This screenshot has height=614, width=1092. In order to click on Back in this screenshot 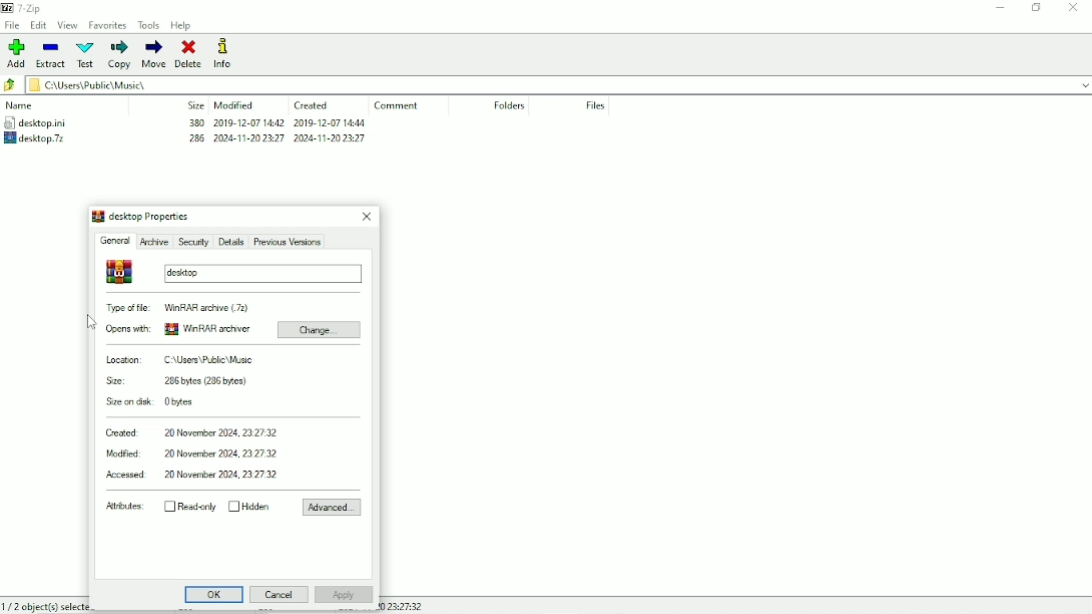, I will do `click(11, 85)`.